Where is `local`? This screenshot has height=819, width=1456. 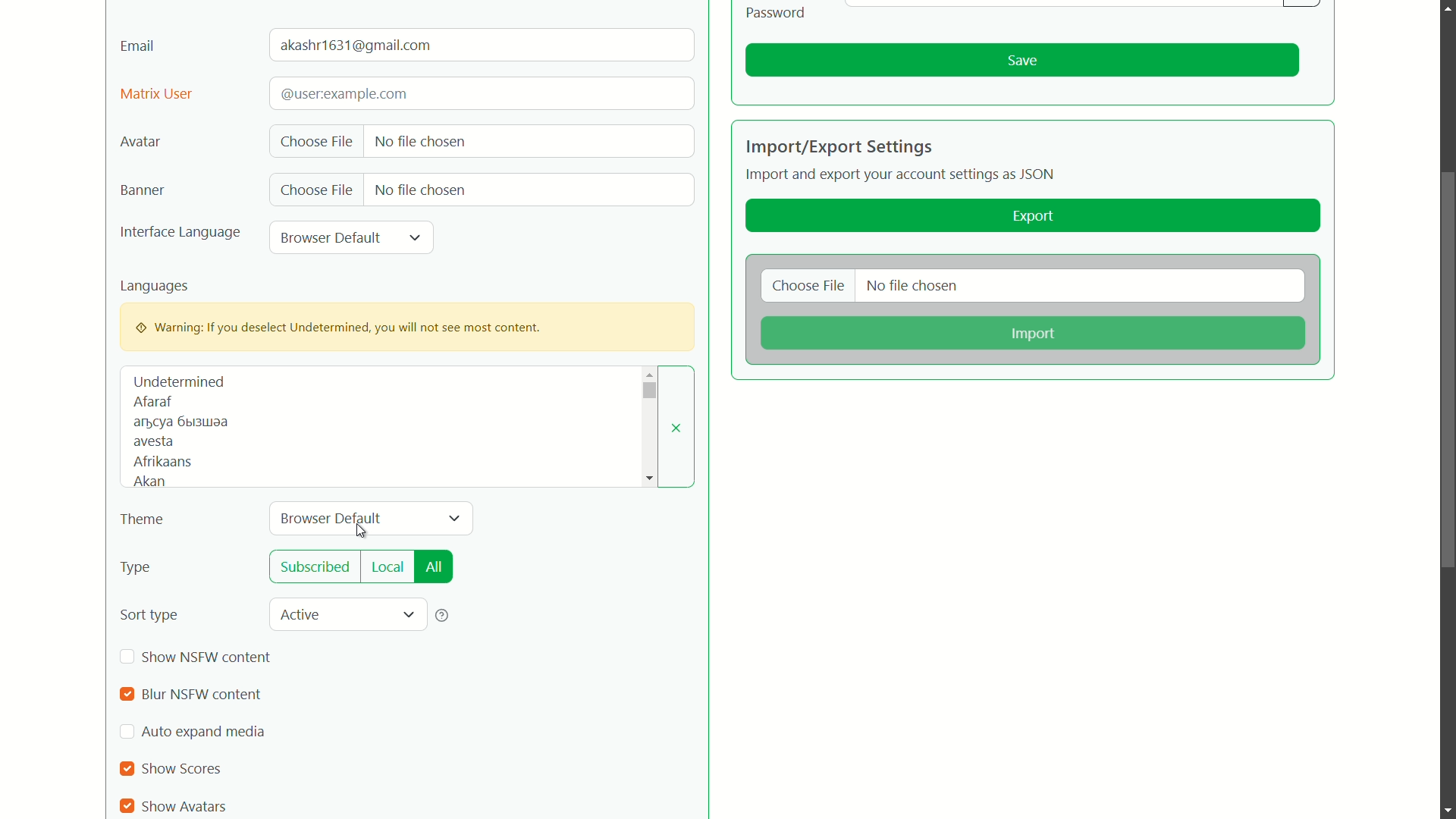
local is located at coordinates (388, 566).